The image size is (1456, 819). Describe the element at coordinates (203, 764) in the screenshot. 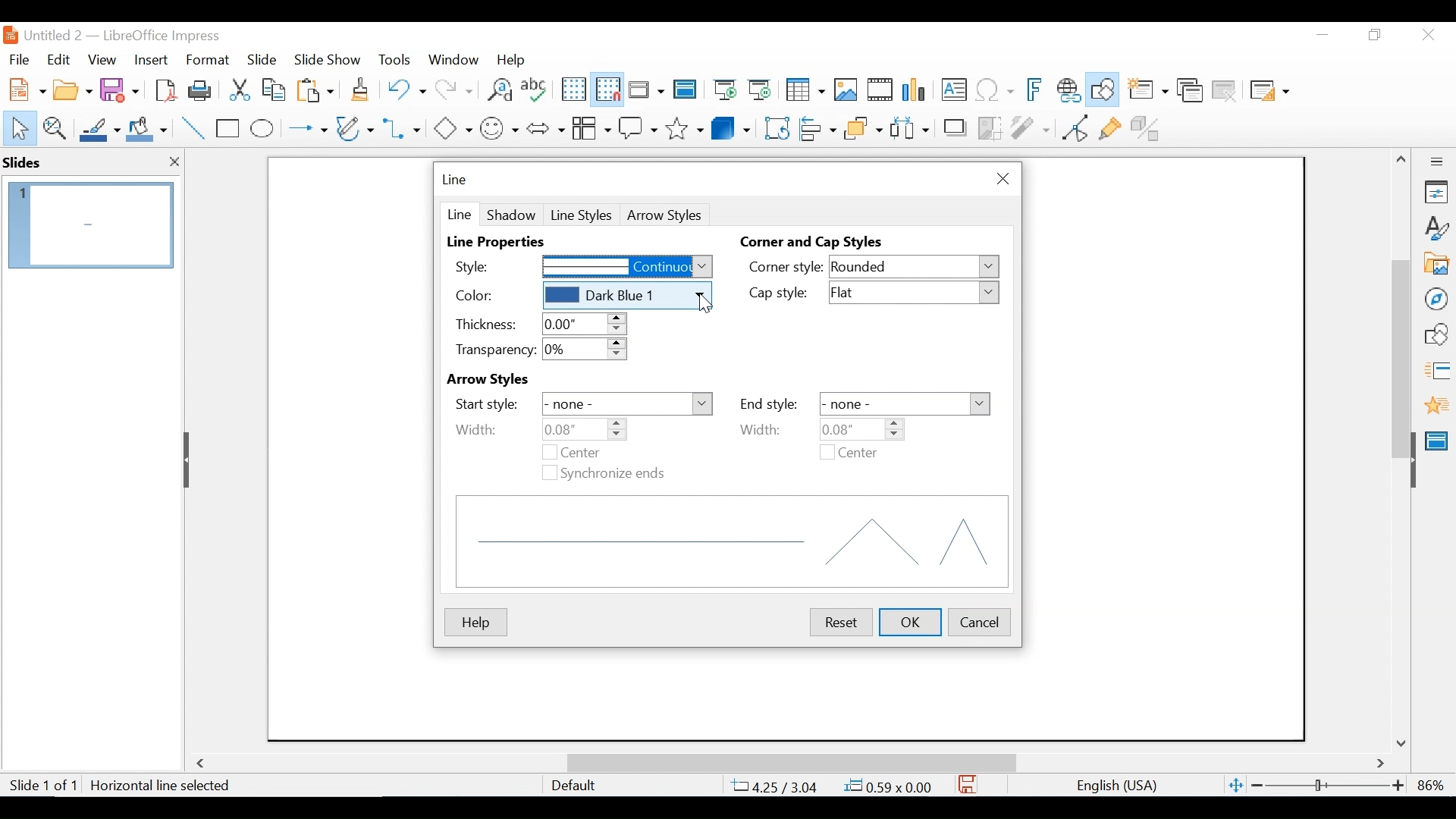

I see `Scroll Left` at that location.